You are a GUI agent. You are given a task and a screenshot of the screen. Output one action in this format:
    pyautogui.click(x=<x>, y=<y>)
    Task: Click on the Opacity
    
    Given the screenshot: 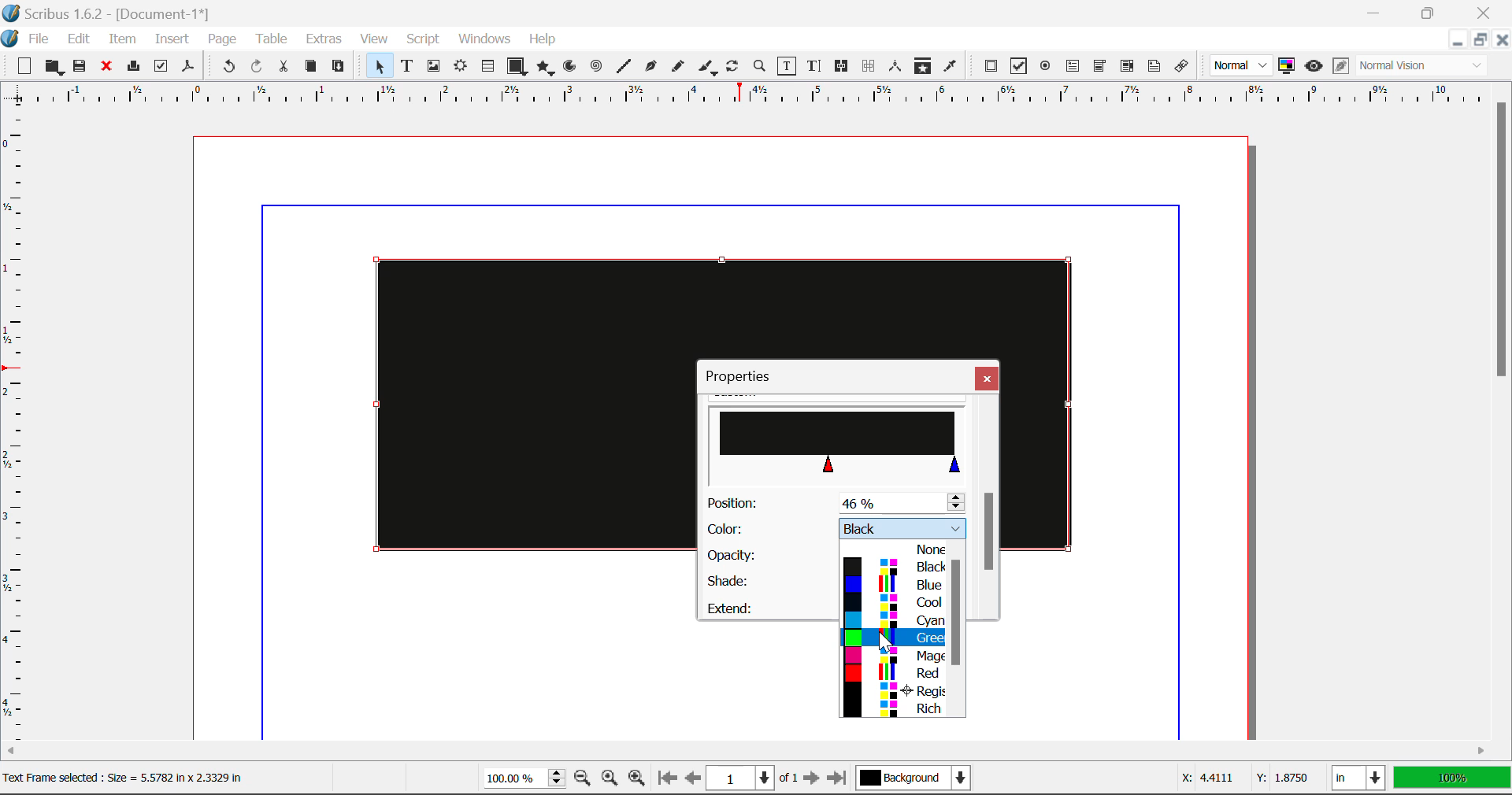 What is the action you would take?
    pyautogui.click(x=764, y=556)
    